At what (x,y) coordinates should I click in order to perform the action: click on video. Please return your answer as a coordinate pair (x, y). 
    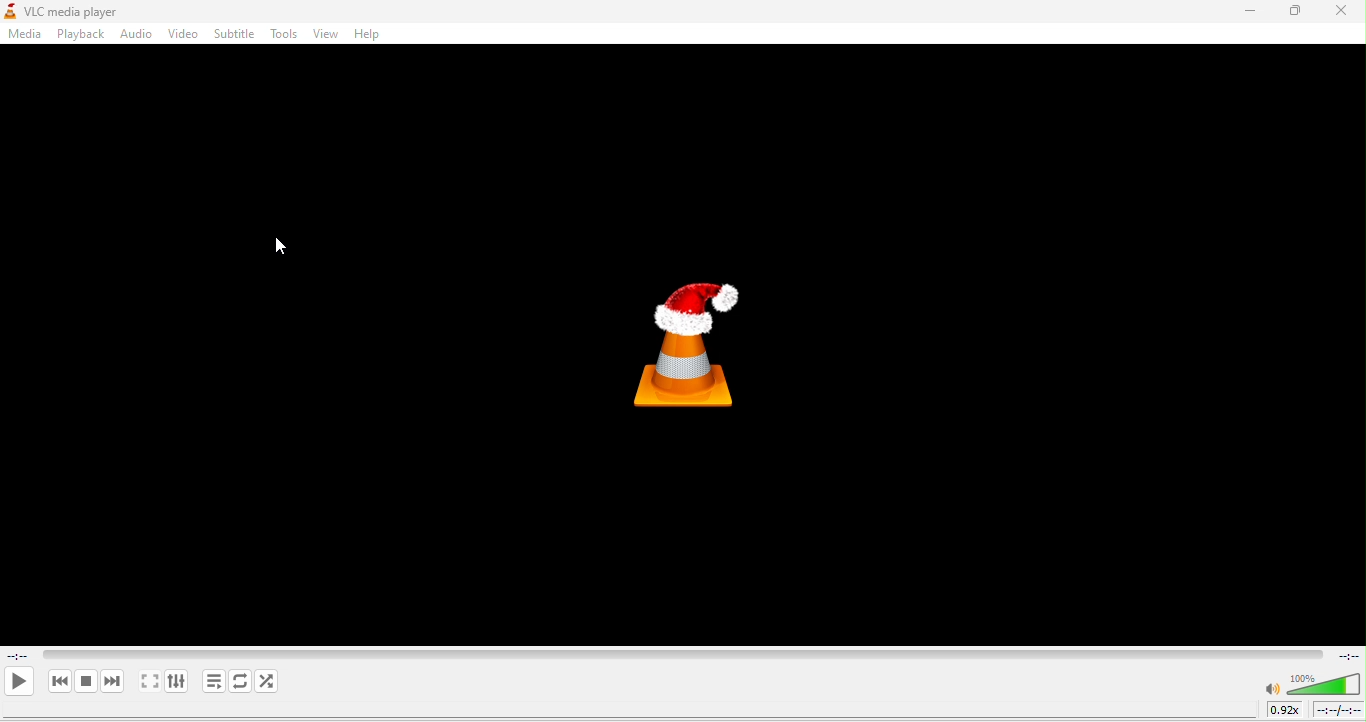
    Looking at the image, I should click on (183, 32).